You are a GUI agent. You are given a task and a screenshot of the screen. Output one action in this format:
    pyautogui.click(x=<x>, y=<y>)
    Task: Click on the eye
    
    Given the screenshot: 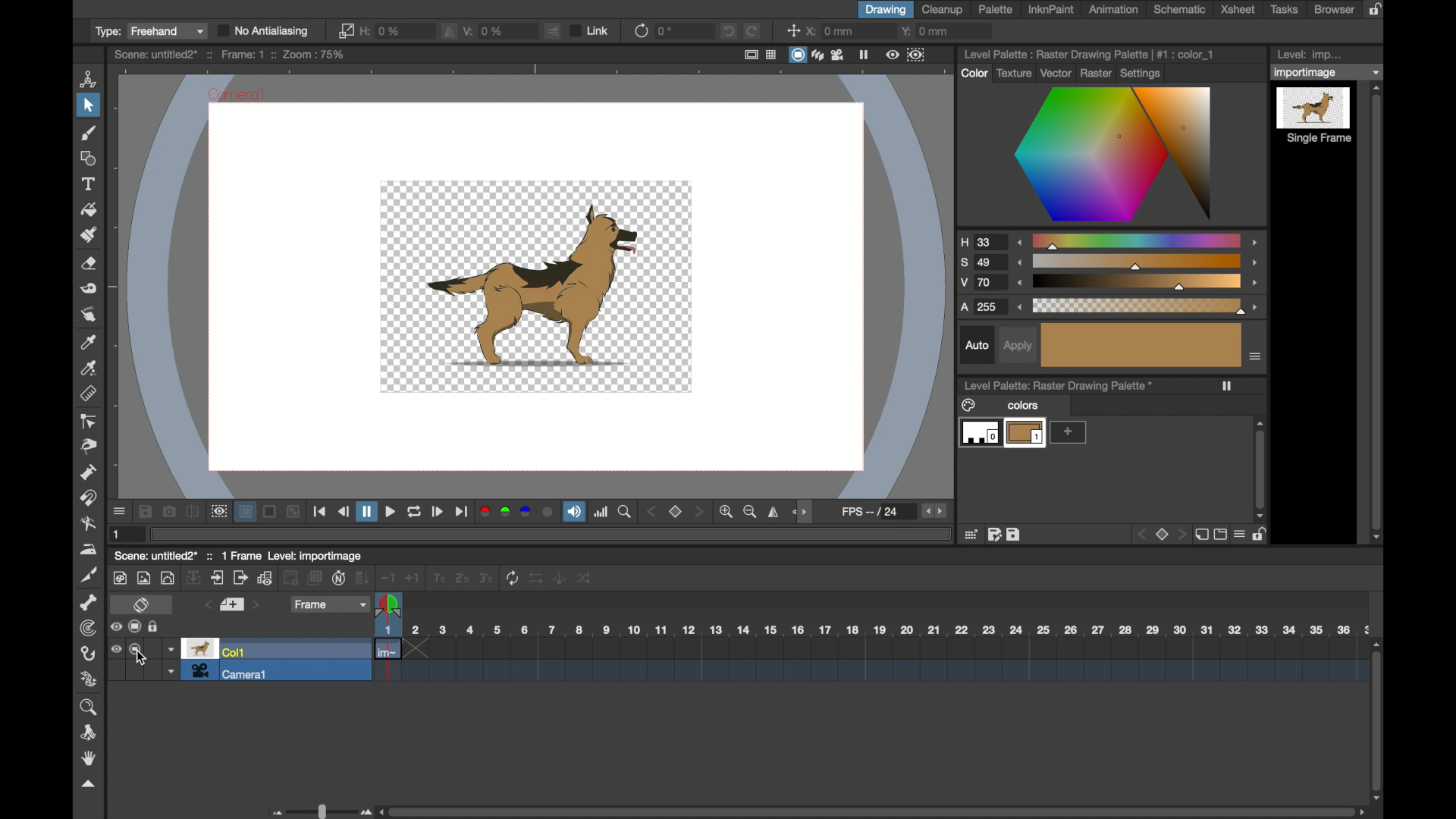 What is the action you would take?
    pyautogui.click(x=116, y=649)
    